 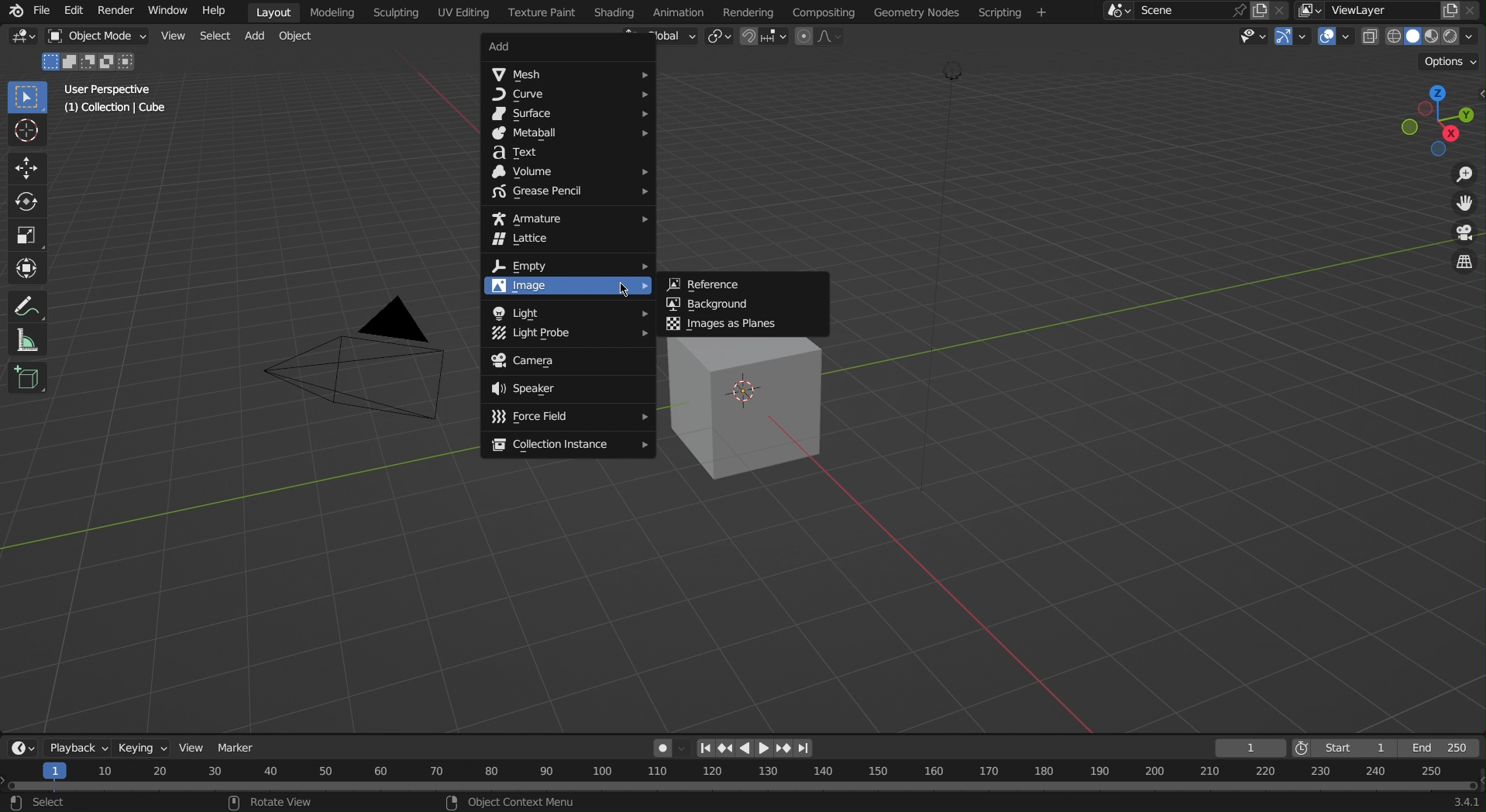 I want to click on Proportional Editing, so click(x=824, y=37).